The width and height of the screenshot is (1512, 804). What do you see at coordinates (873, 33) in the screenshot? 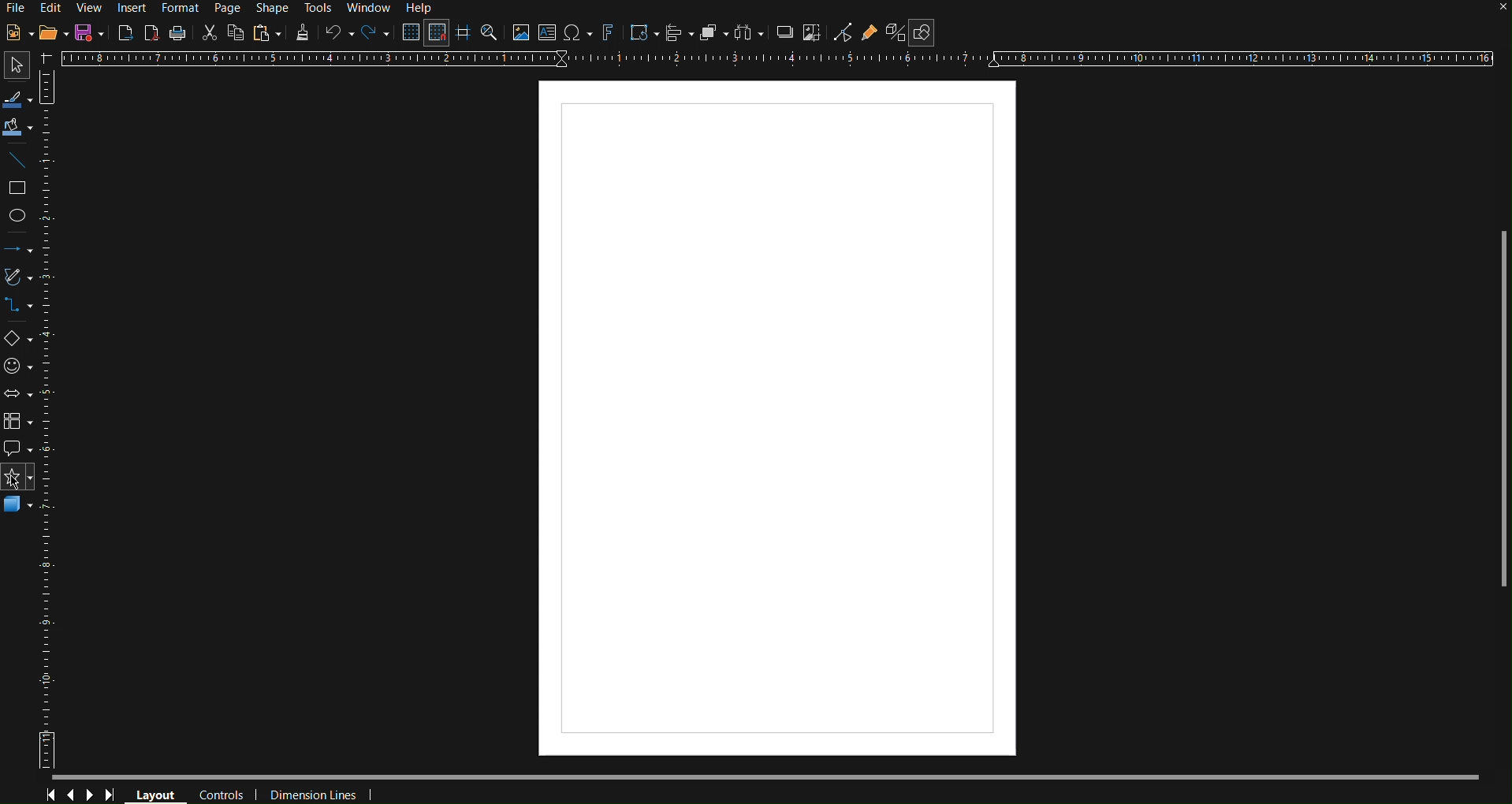
I see `Show Gluepoint Functions` at bounding box center [873, 33].